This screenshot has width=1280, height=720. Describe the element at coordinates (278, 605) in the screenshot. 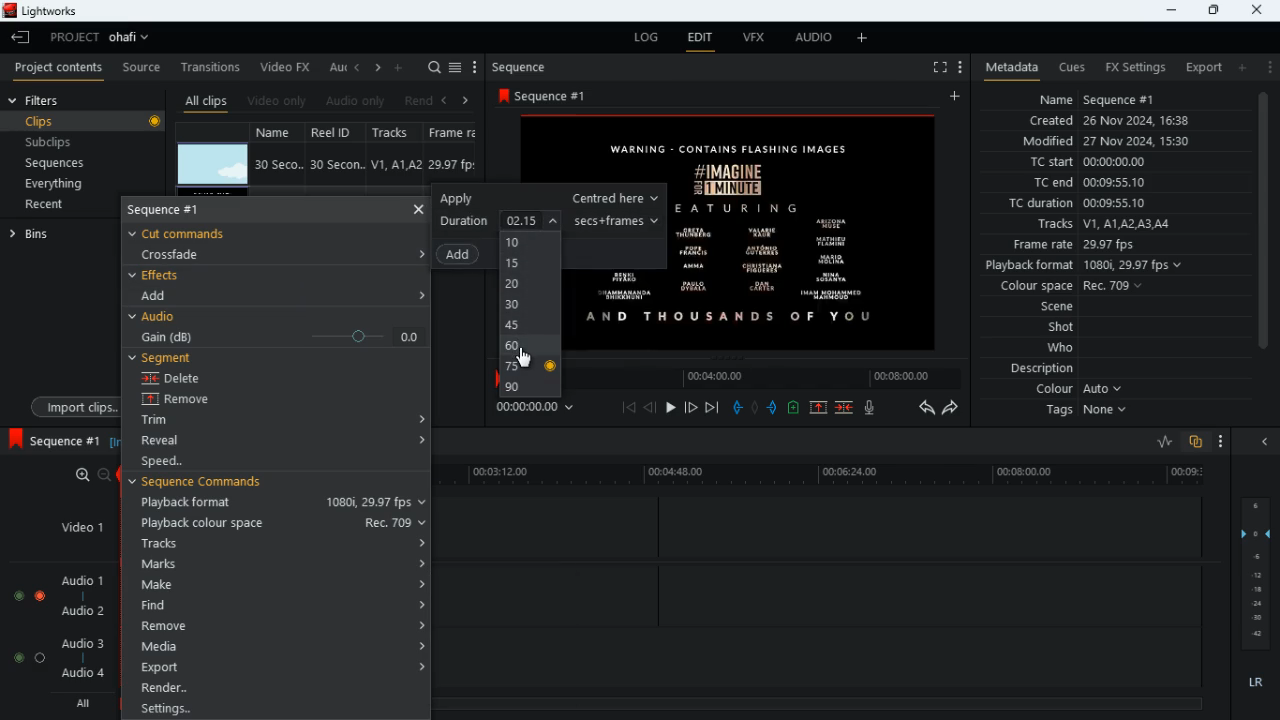

I see `find` at that location.